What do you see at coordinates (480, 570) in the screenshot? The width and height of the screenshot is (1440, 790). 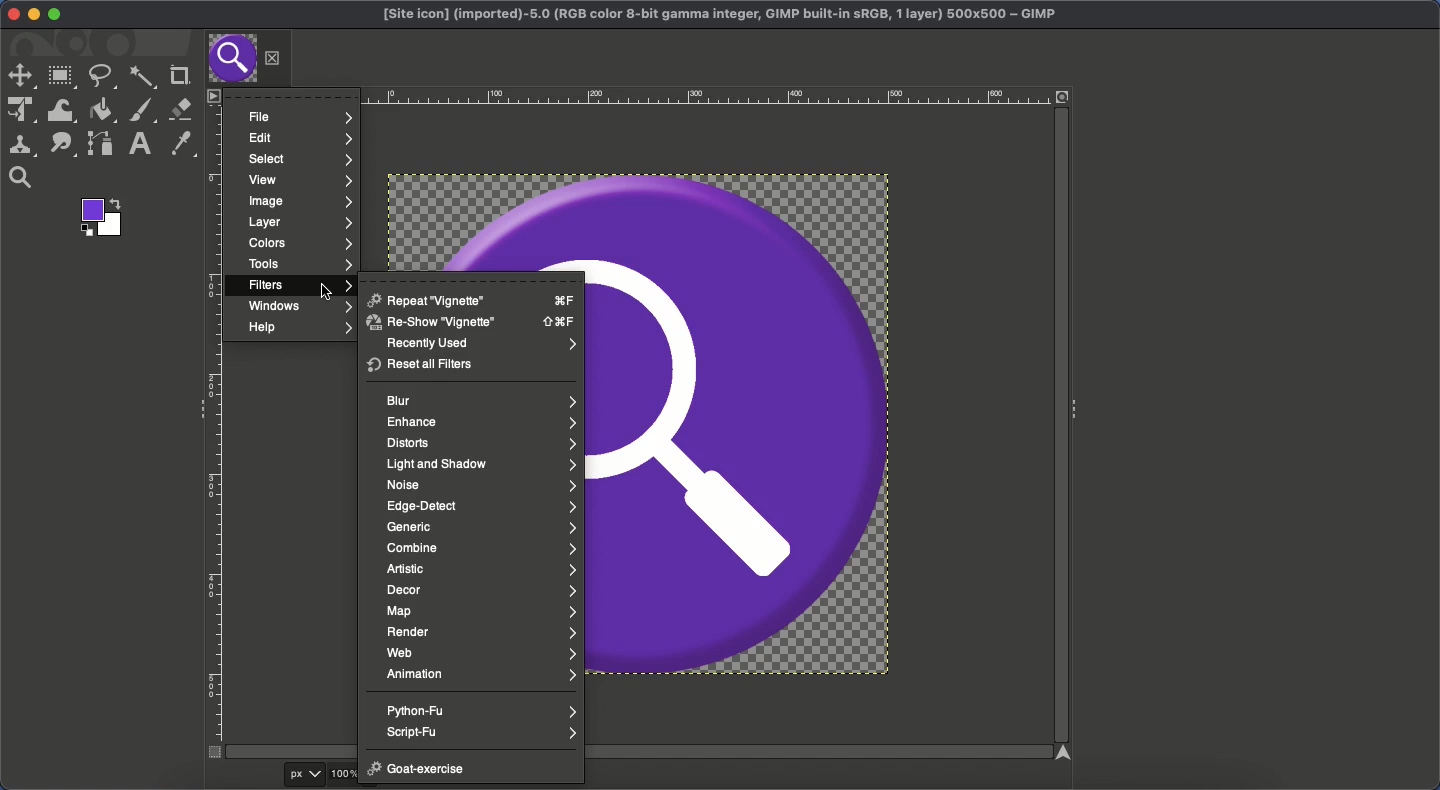 I see `Artistic` at bounding box center [480, 570].